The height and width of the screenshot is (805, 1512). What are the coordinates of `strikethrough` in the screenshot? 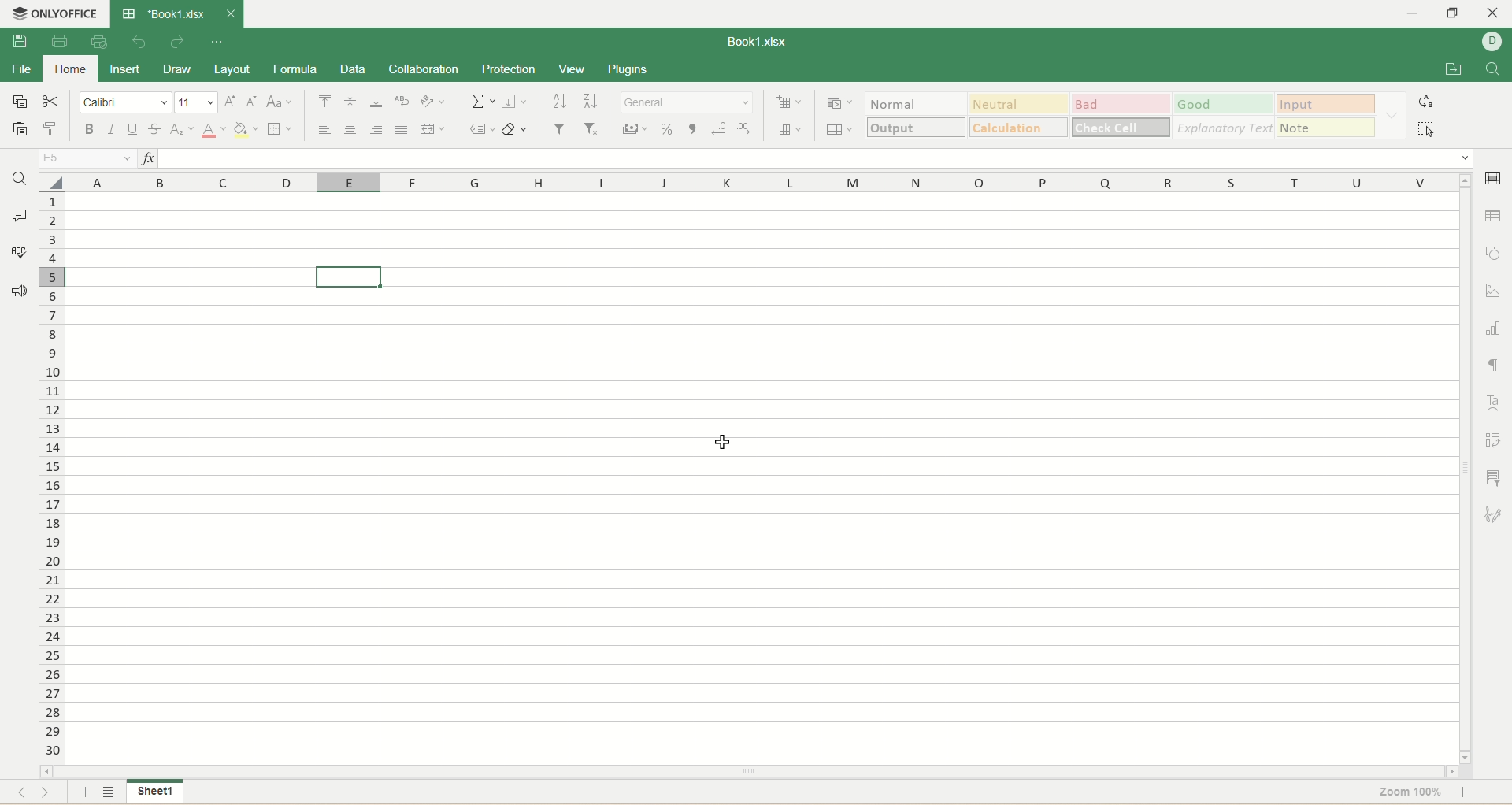 It's located at (156, 130).